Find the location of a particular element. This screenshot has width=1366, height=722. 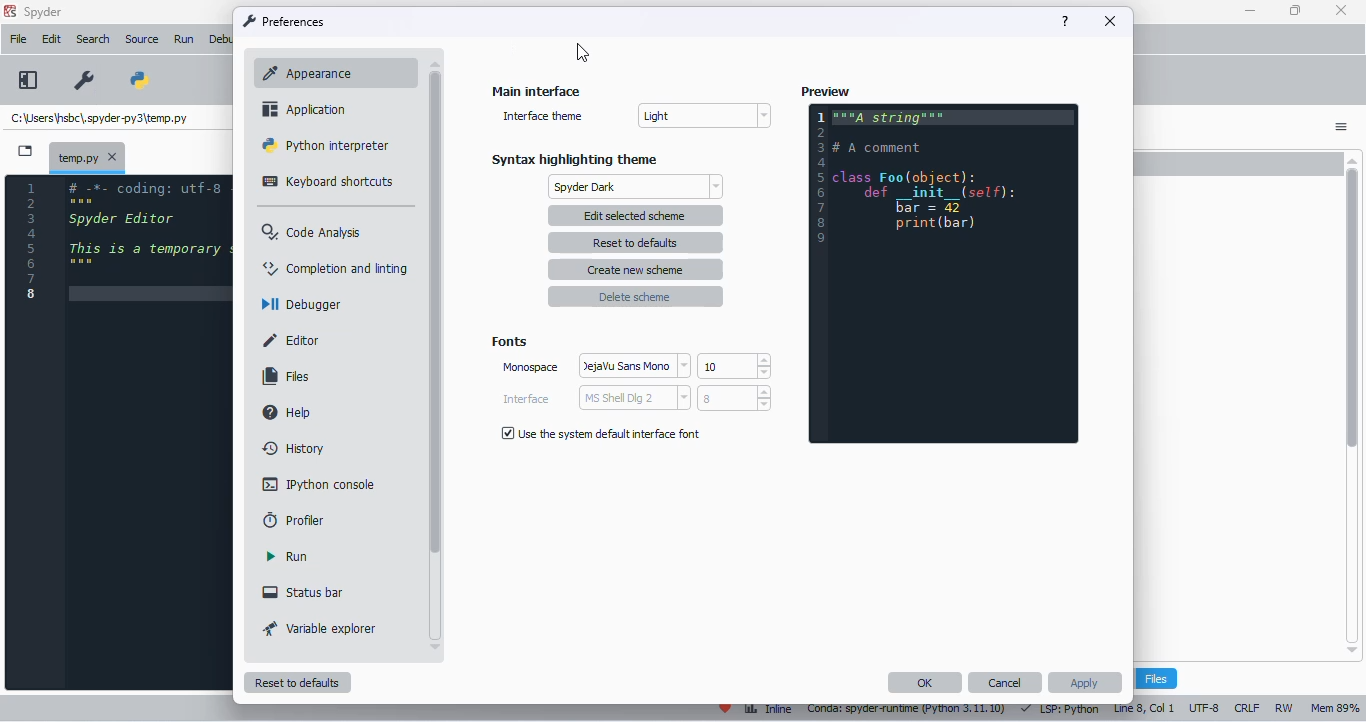

reset to defaults is located at coordinates (299, 683).